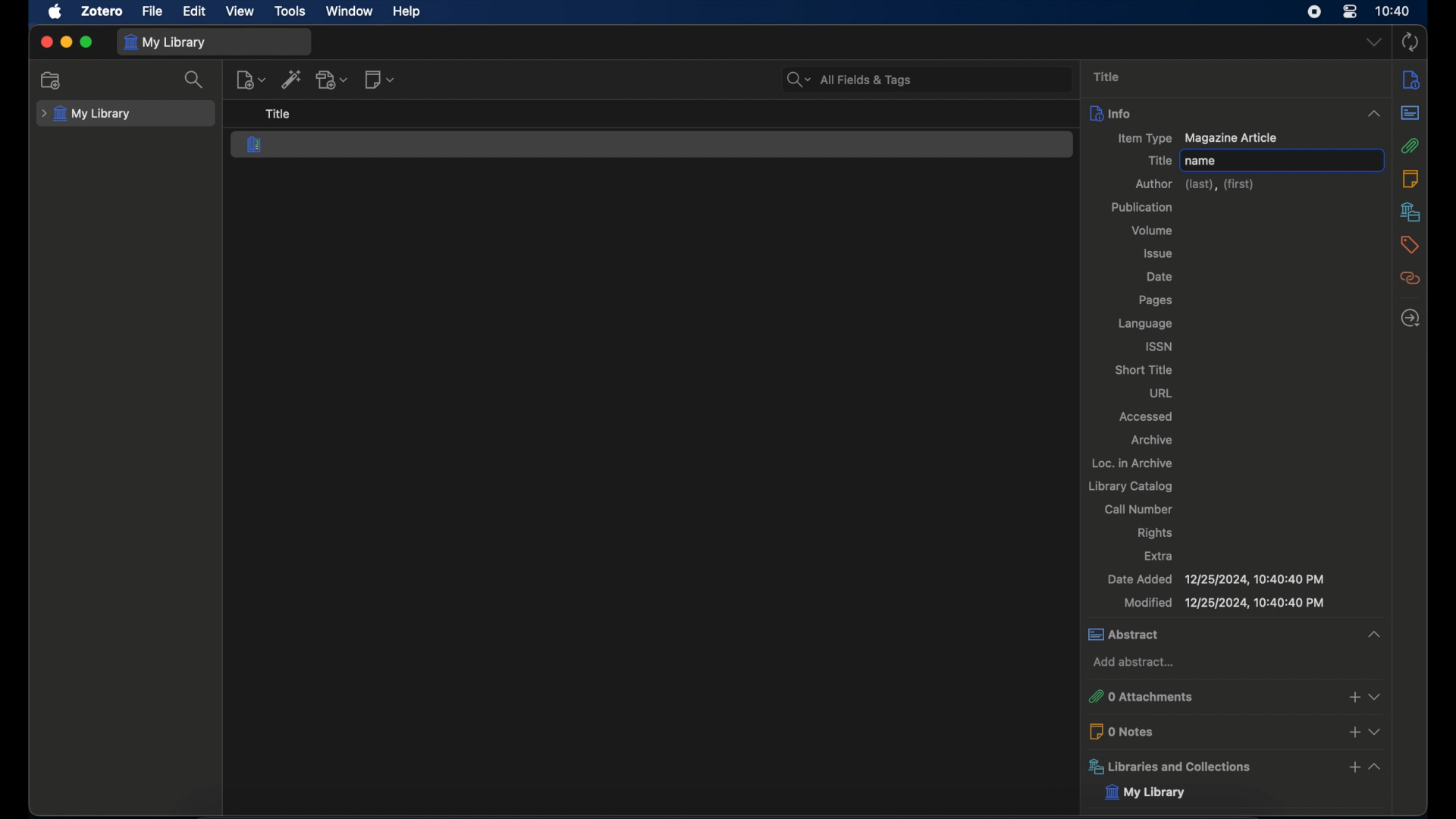 The width and height of the screenshot is (1456, 819). What do you see at coordinates (1410, 278) in the screenshot?
I see `related` at bounding box center [1410, 278].